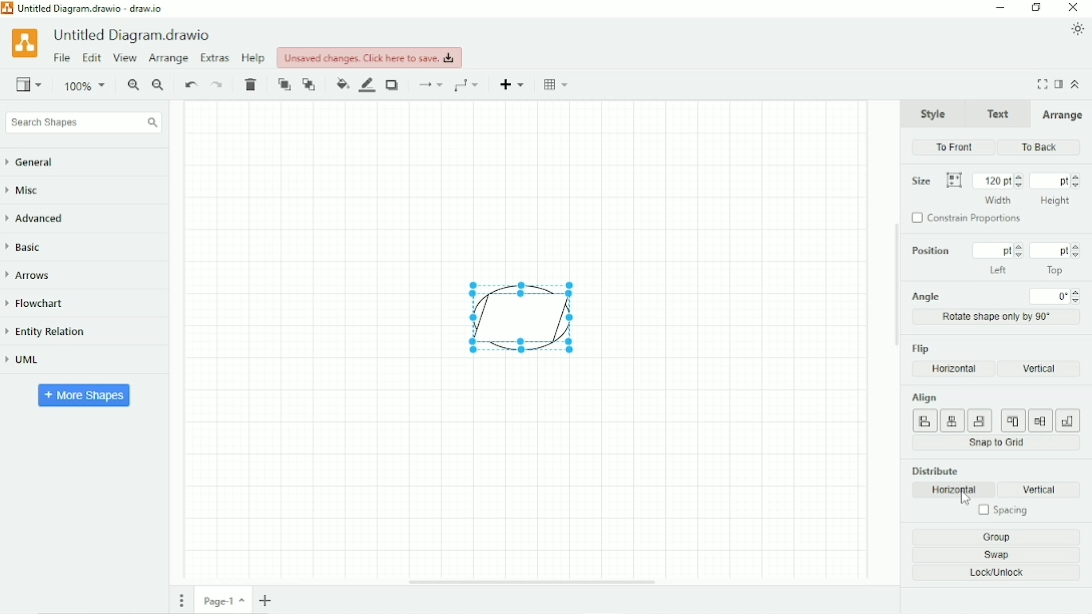 Image resolution: width=1092 pixels, height=614 pixels. Describe the element at coordinates (1042, 84) in the screenshot. I see `Fullscreen` at that location.